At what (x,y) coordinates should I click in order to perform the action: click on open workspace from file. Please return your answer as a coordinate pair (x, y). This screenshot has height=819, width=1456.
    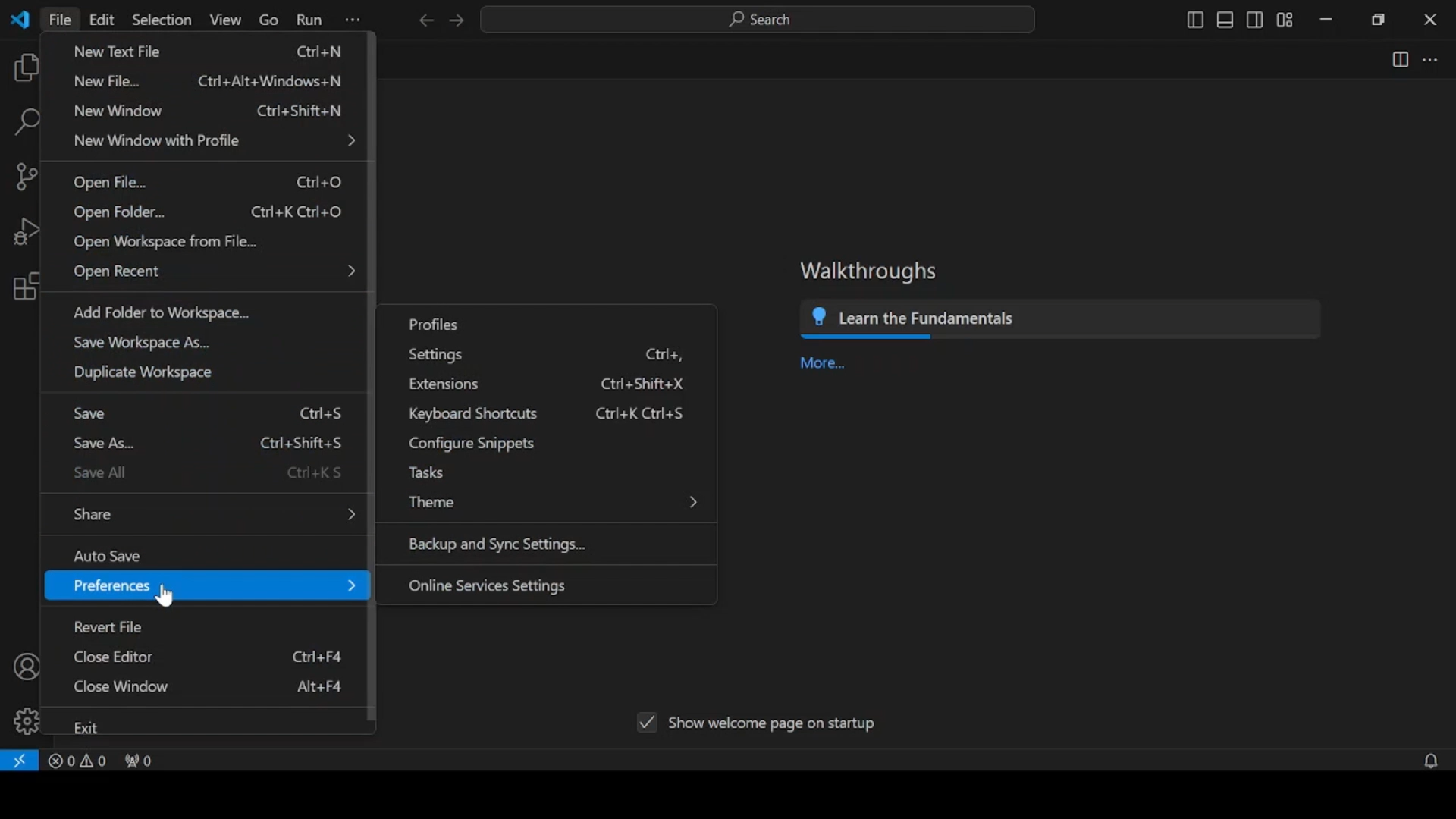
    Looking at the image, I should click on (165, 243).